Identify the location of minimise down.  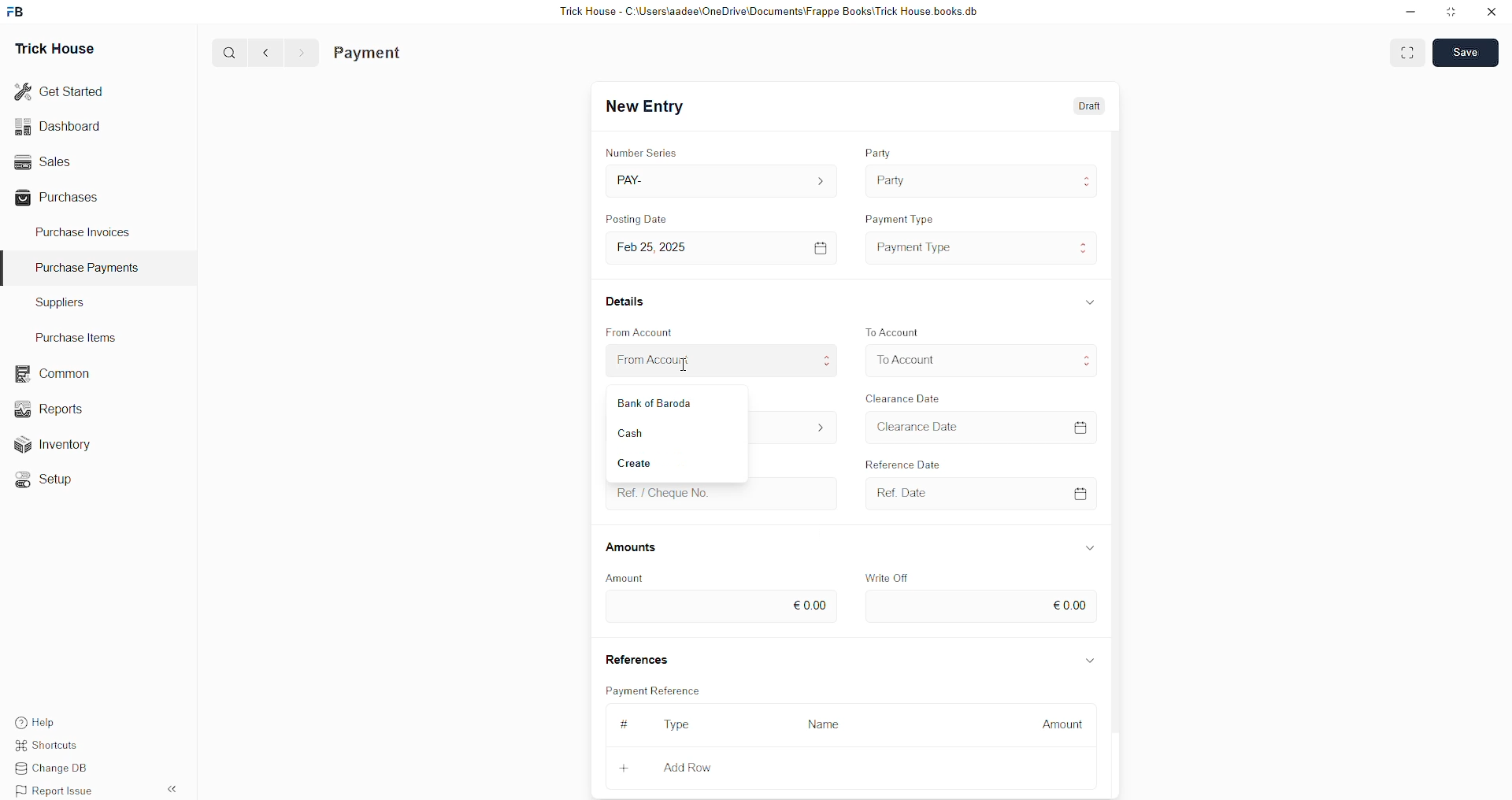
(1408, 12).